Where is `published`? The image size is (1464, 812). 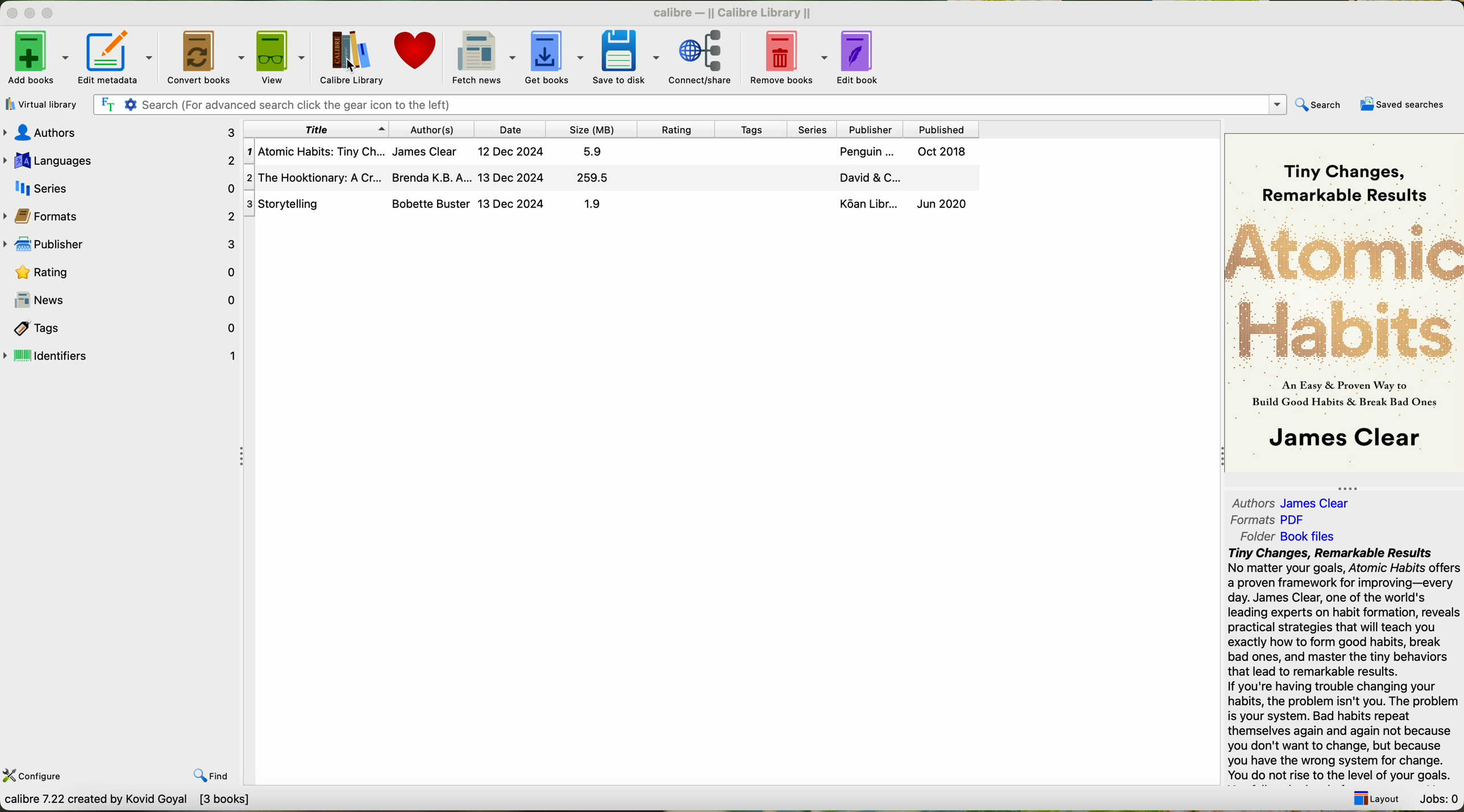
published is located at coordinates (940, 128).